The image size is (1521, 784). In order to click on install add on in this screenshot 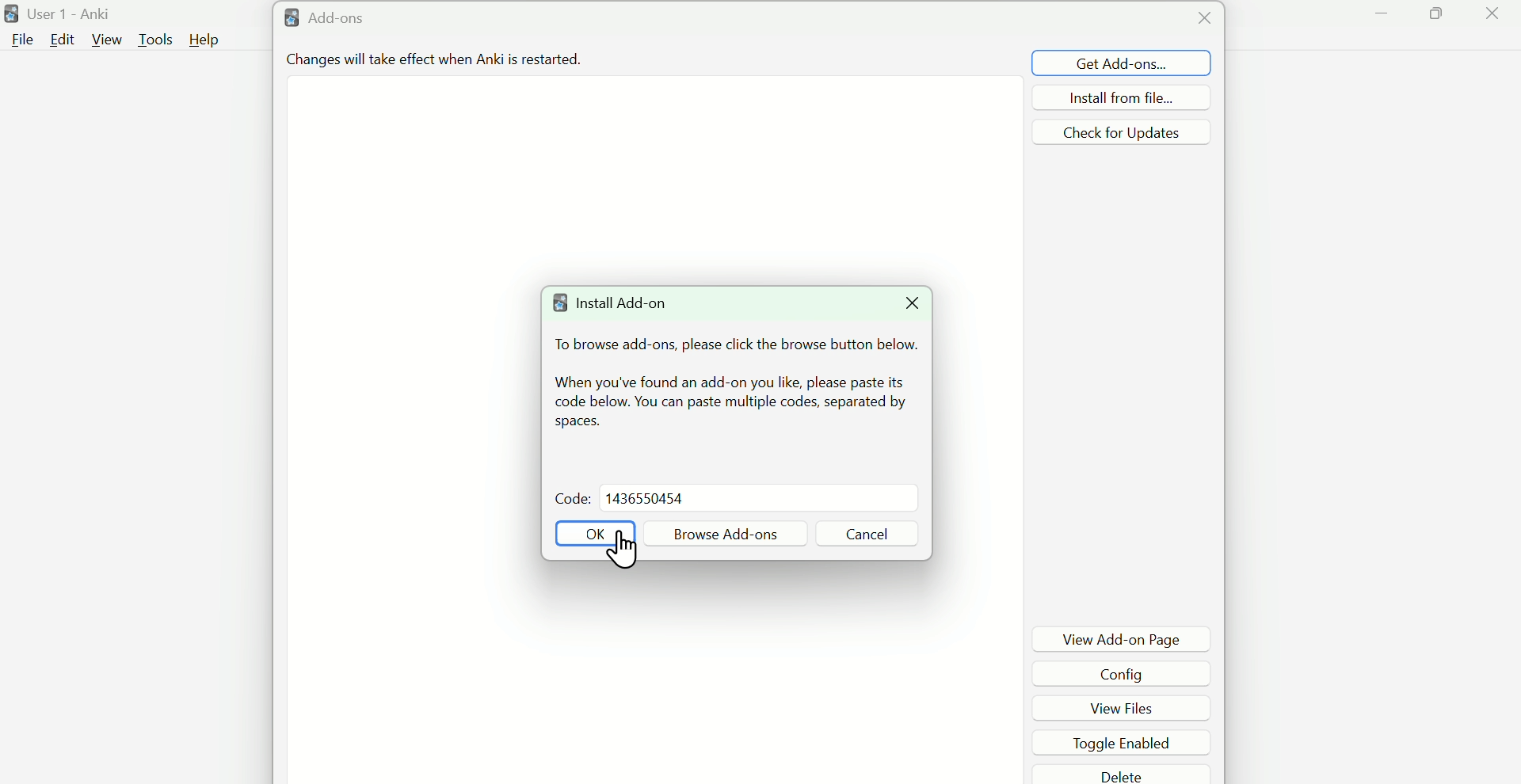, I will do `click(620, 306)`.